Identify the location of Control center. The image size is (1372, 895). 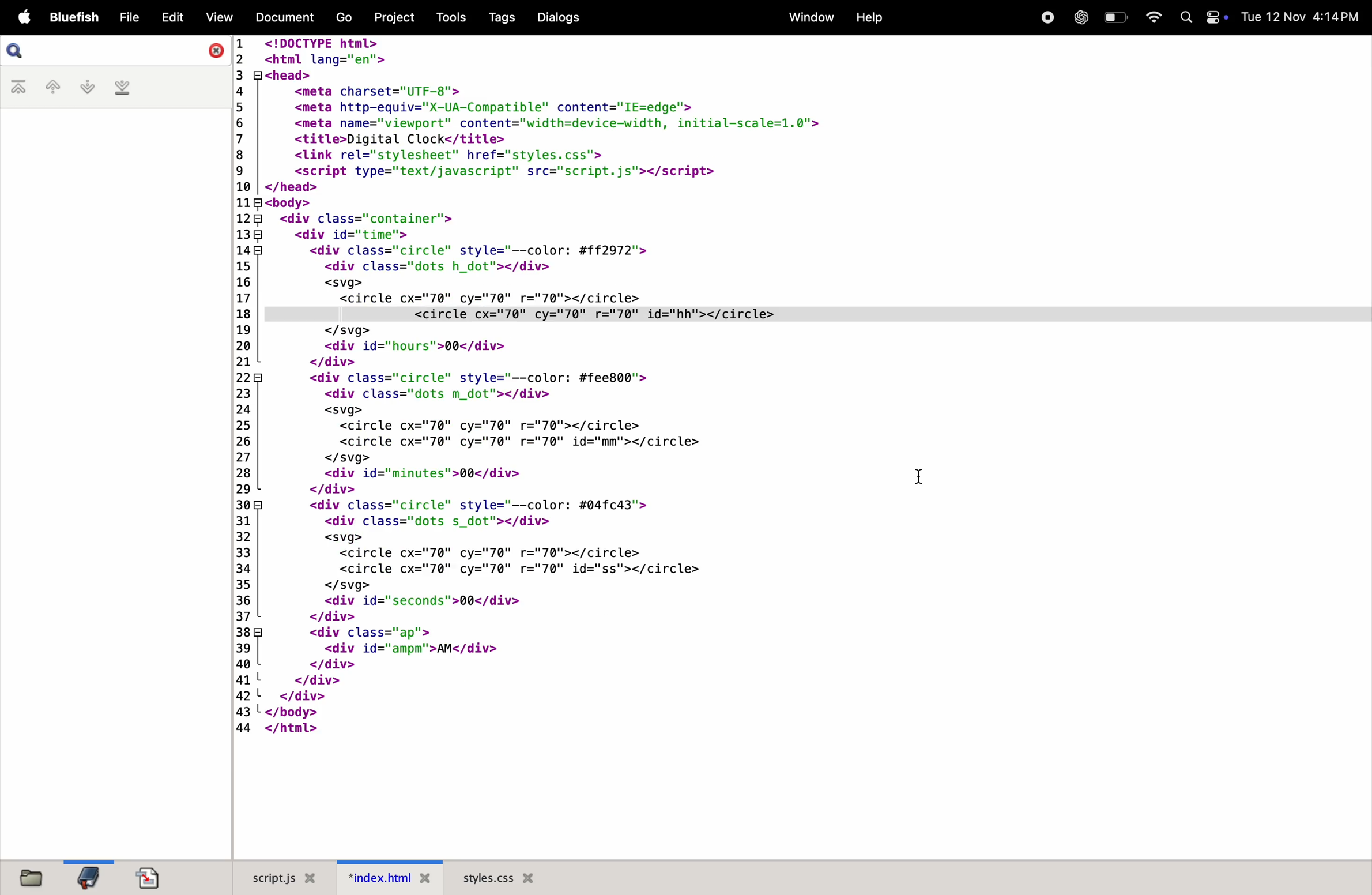
(1218, 19).